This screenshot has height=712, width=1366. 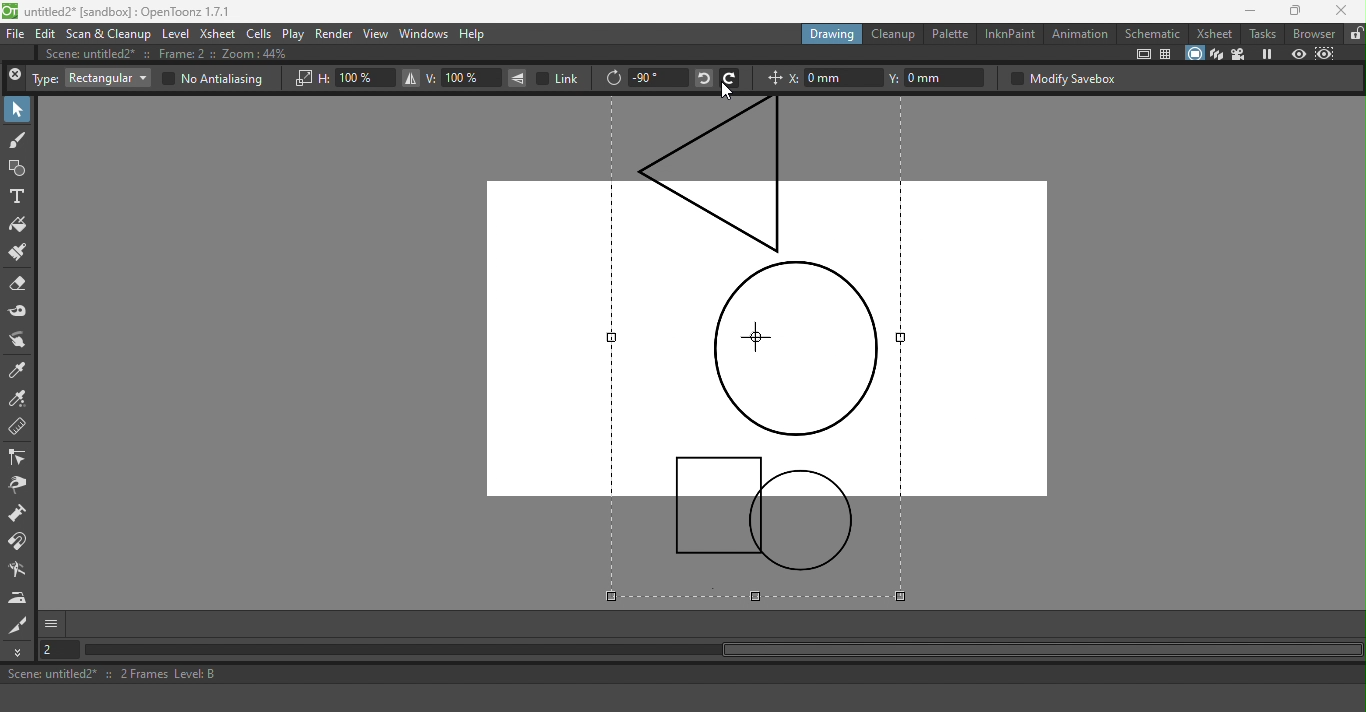 I want to click on Render, so click(x=335, y=33).